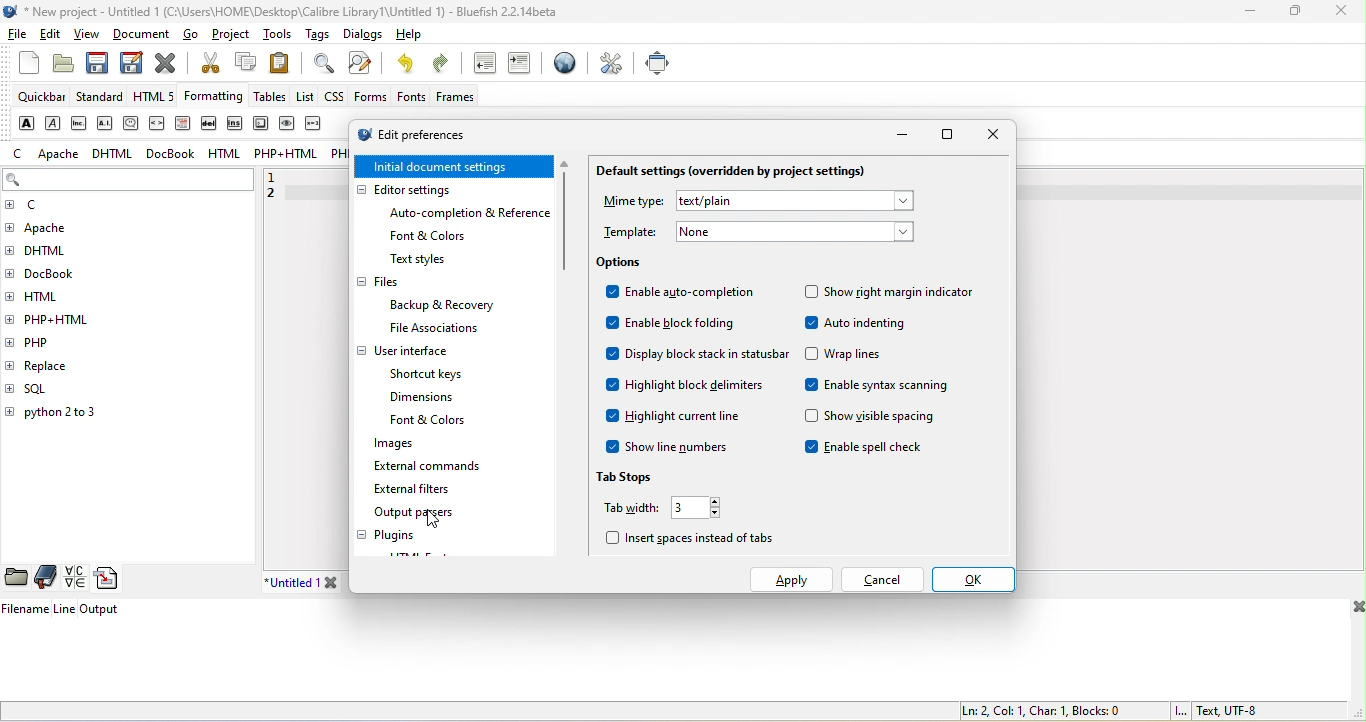  Describe the element at coordinates (359, 36) in the screenshot. I see `dialogs` at that location.